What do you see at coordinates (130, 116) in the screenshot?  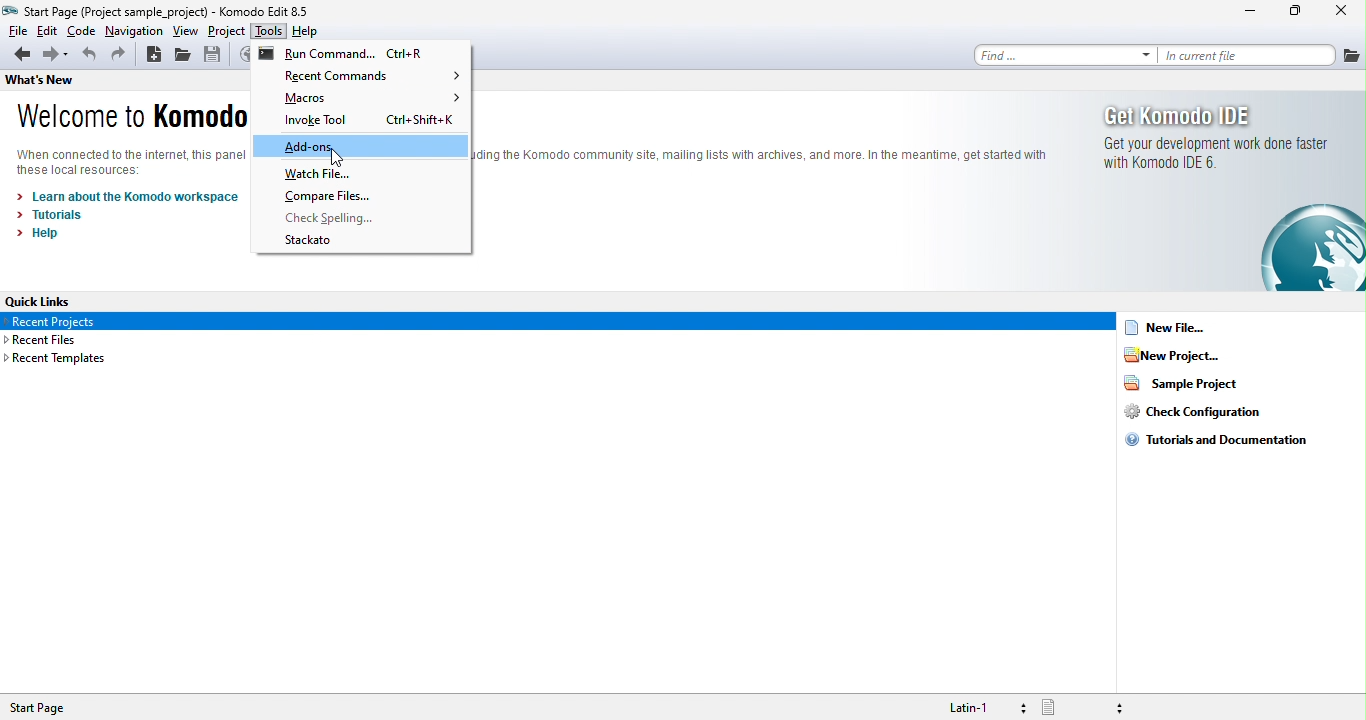 I see `welcome to komodo edit ` at bounding box center [130, 116].